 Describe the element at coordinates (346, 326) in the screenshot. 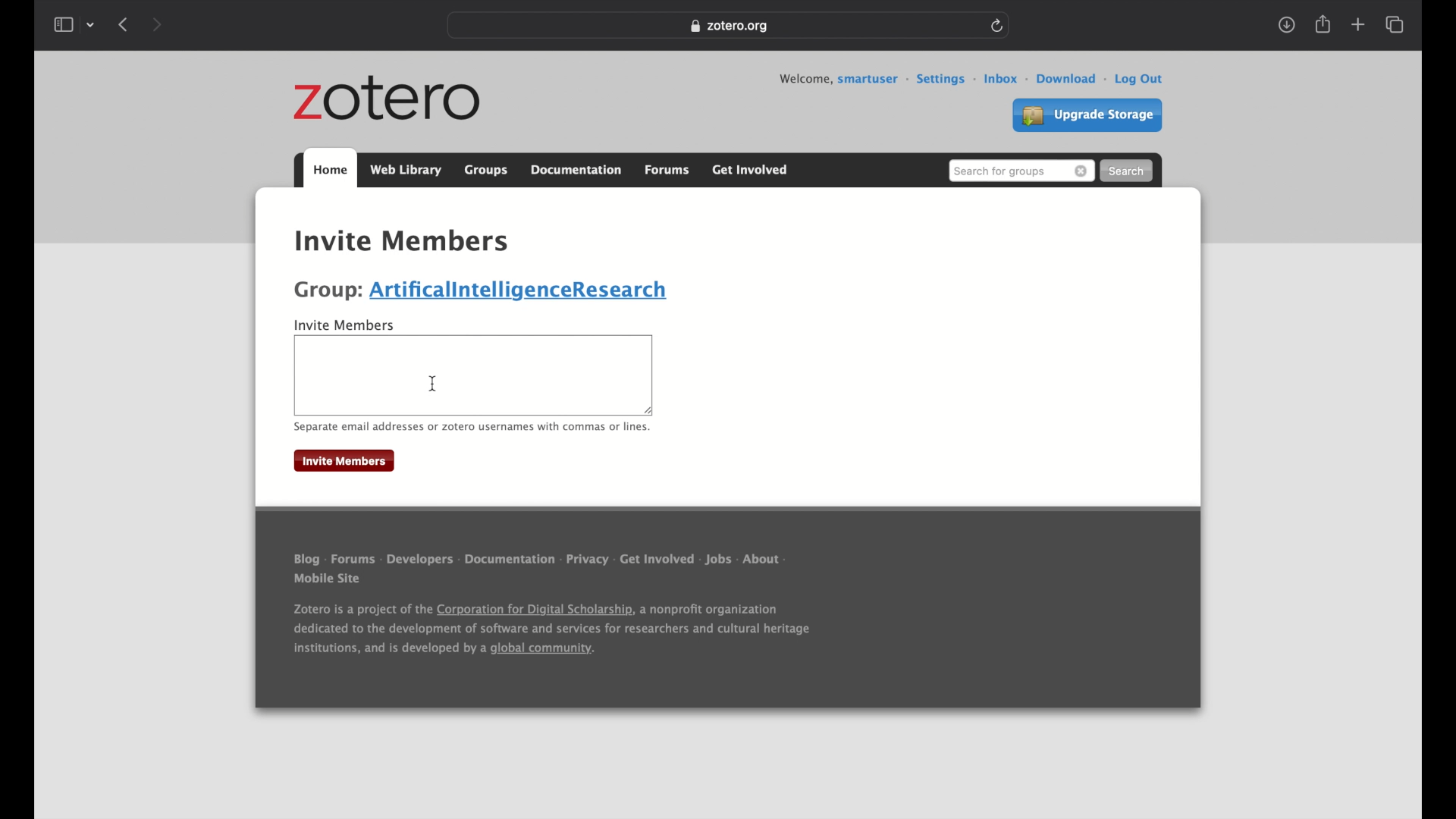

I see `invite members` at that location.